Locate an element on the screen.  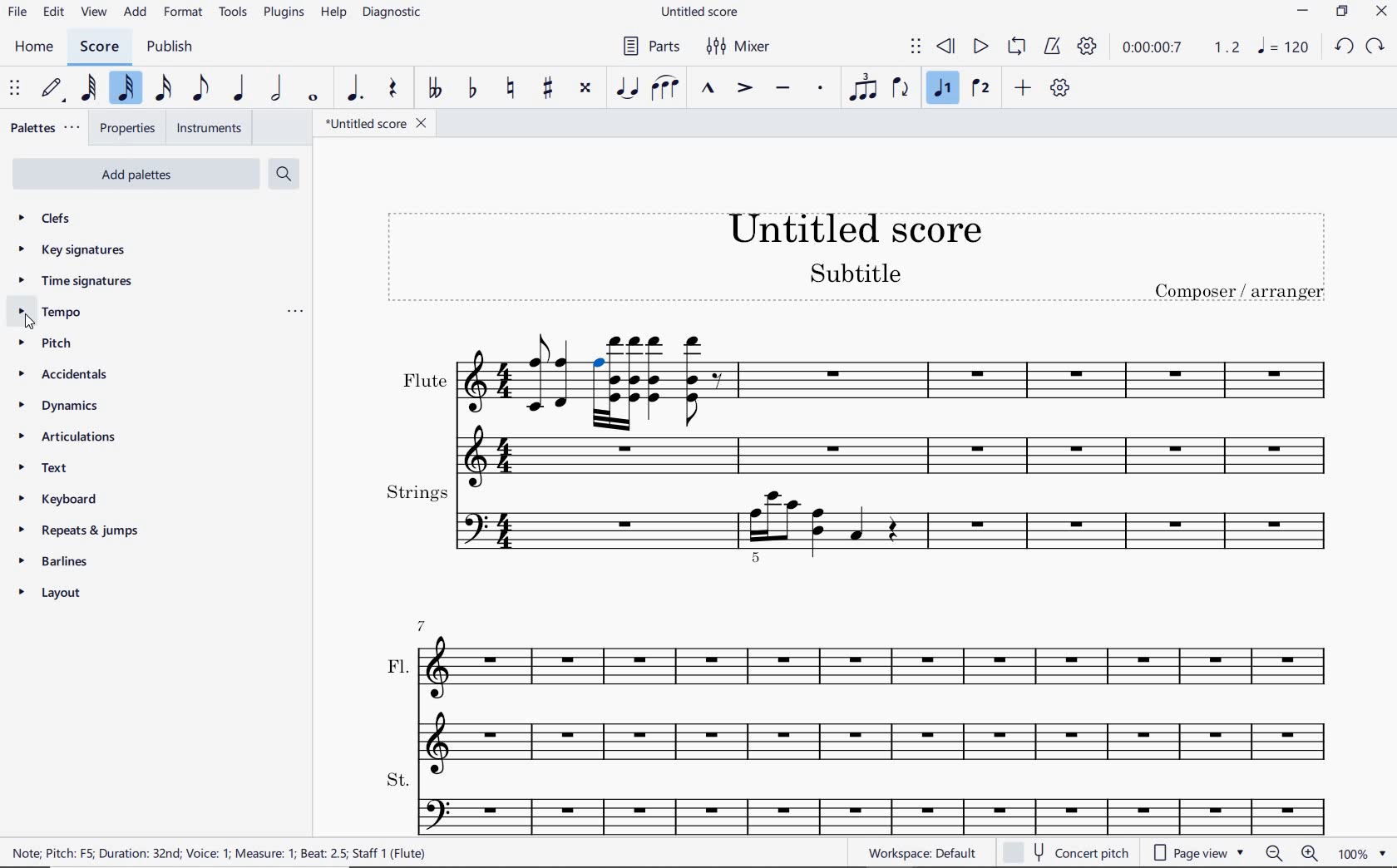
DIAGNOSTIC is located at coordinates (391, 12).